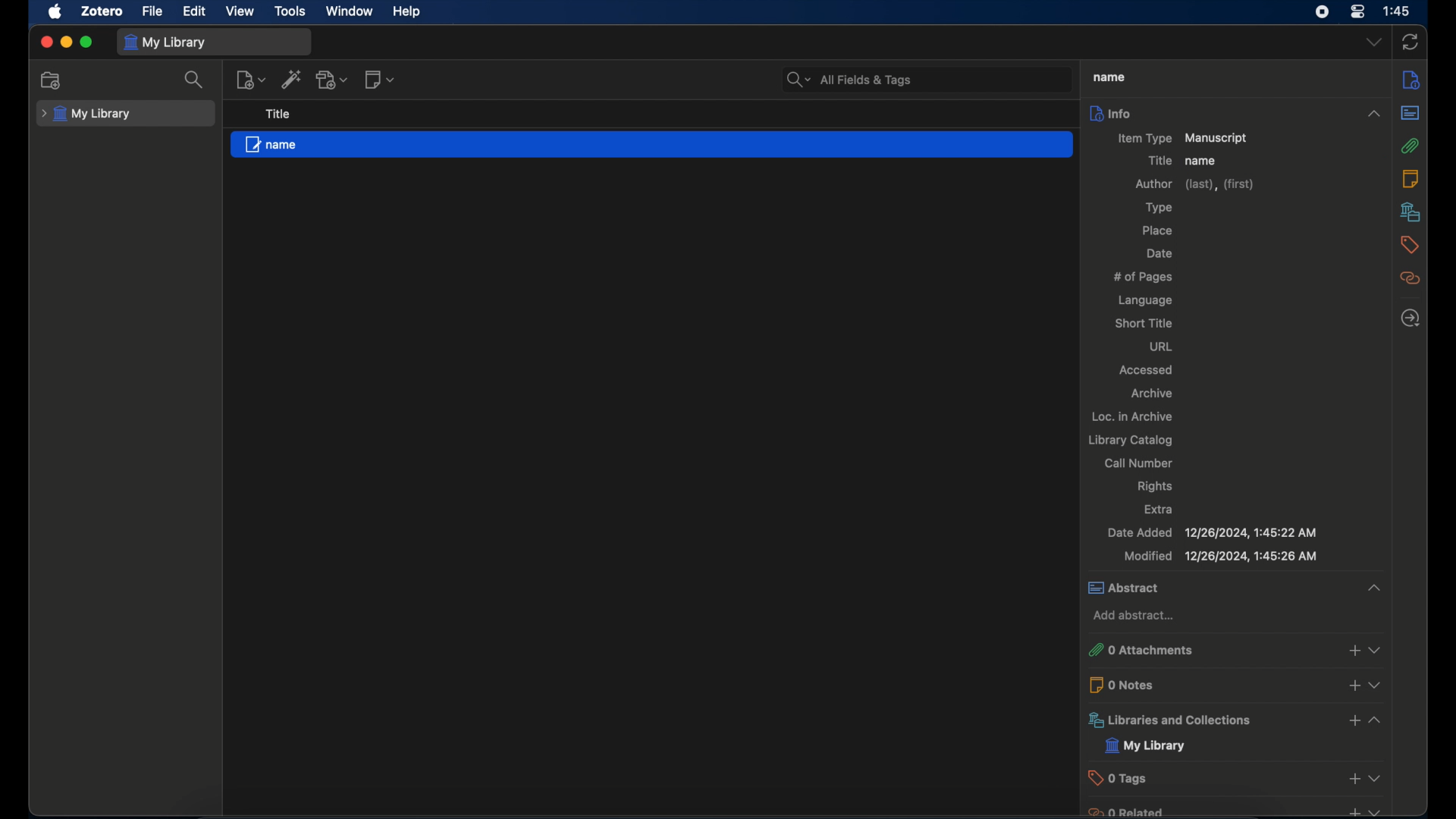 The height and width of the screenshot is (819, 1456). I want to click on title, so click(282, 115).